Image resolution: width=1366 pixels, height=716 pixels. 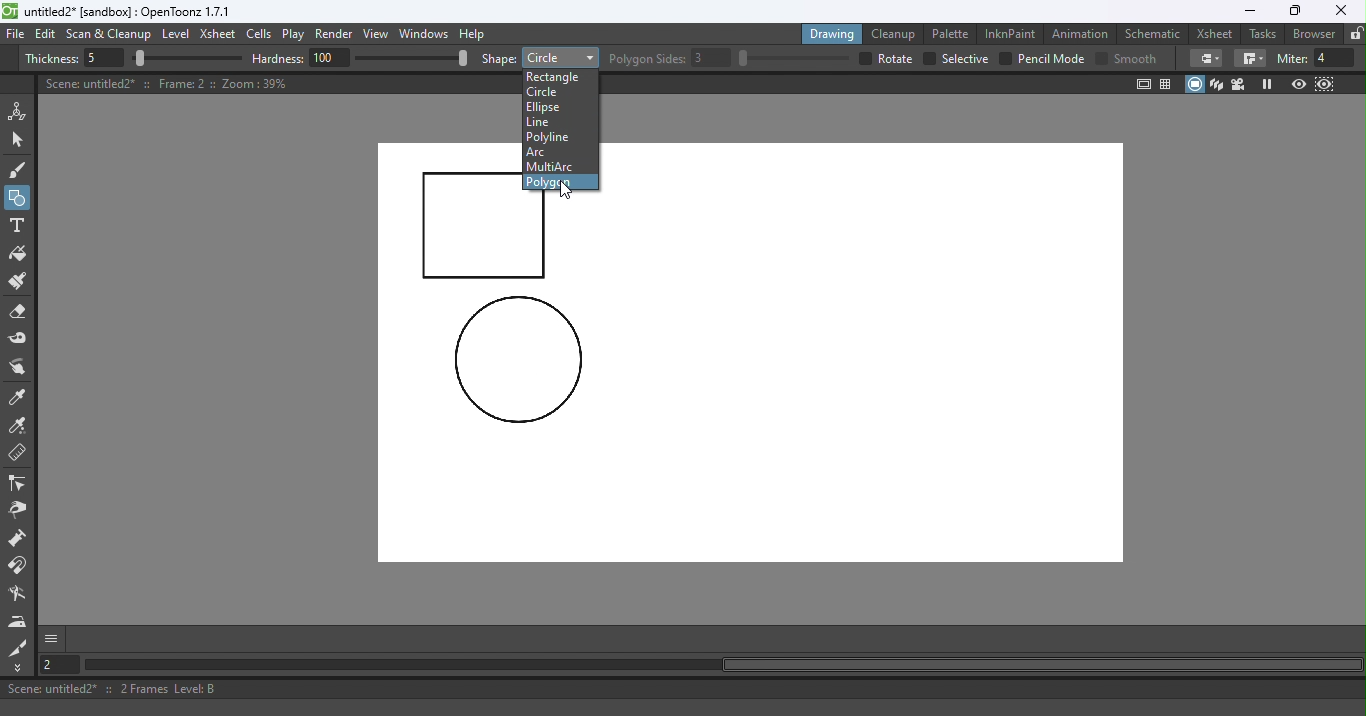 I want to click on More Tools, so click(x=19, y=668).